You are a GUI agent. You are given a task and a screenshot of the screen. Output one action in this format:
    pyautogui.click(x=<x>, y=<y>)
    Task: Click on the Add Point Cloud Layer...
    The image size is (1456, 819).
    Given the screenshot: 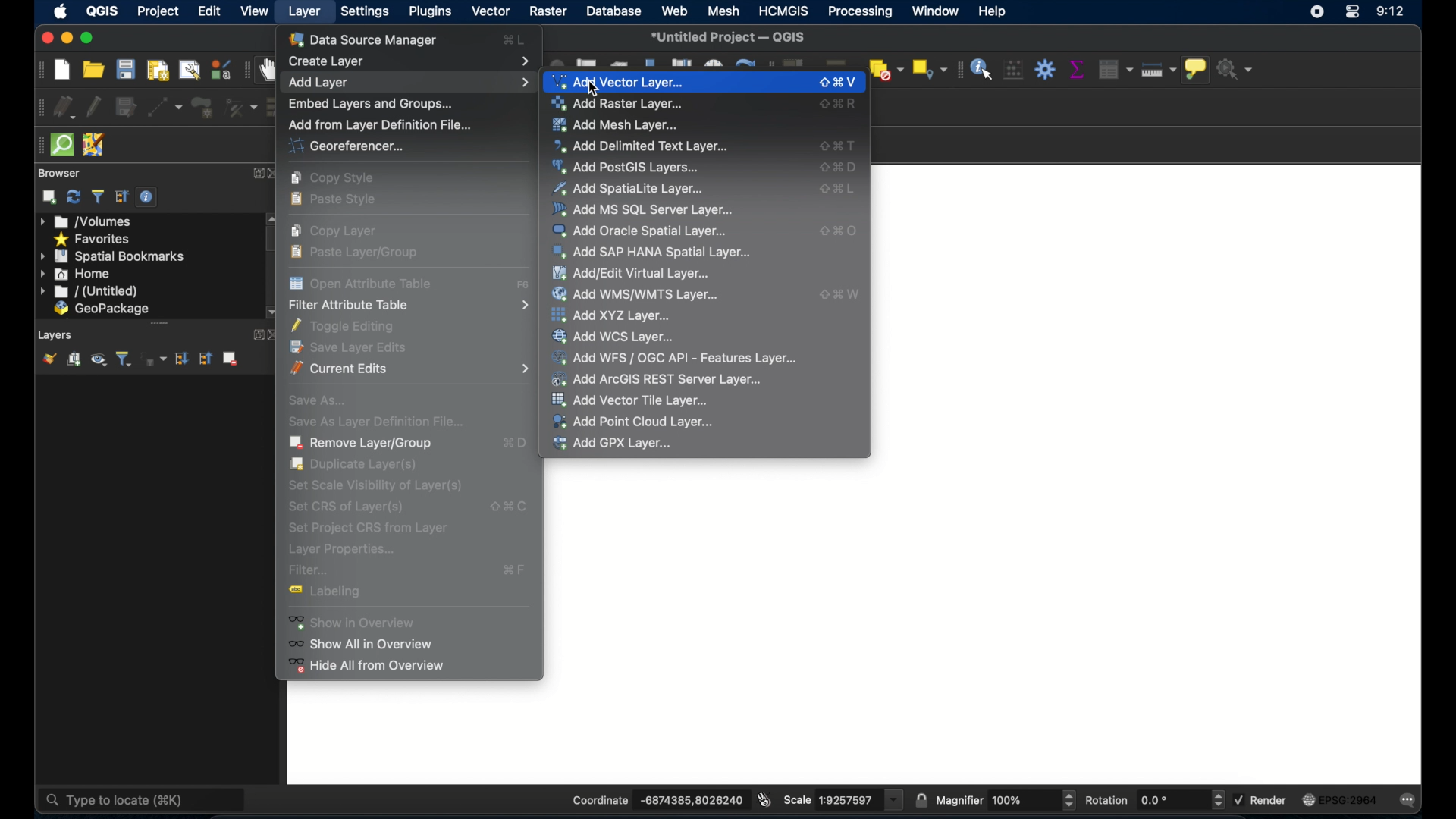 What is the action you would take?
    pyautogui.click(x=634, y=422)
    